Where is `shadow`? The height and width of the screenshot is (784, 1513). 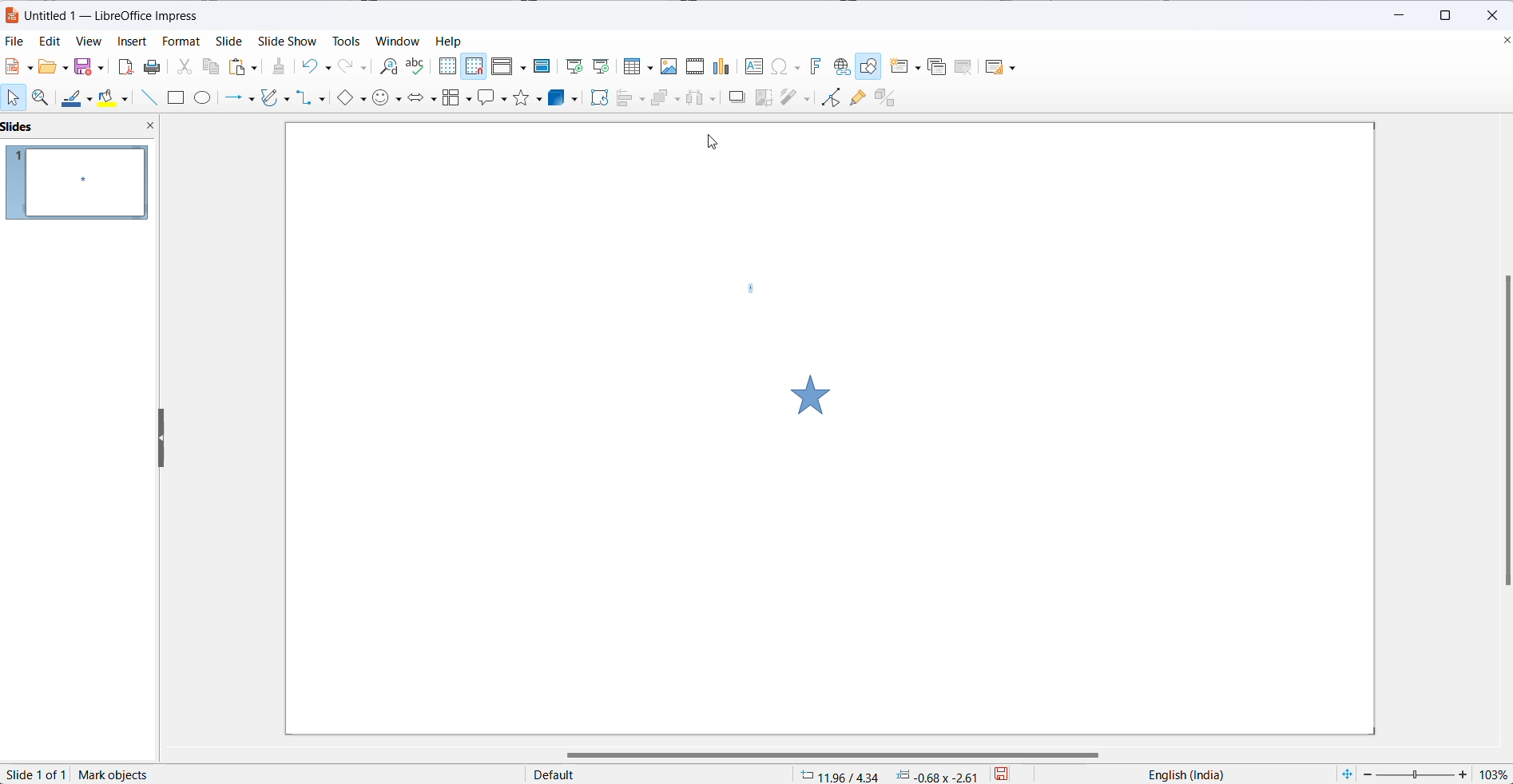
shadow is located at coordinates (738, 98).